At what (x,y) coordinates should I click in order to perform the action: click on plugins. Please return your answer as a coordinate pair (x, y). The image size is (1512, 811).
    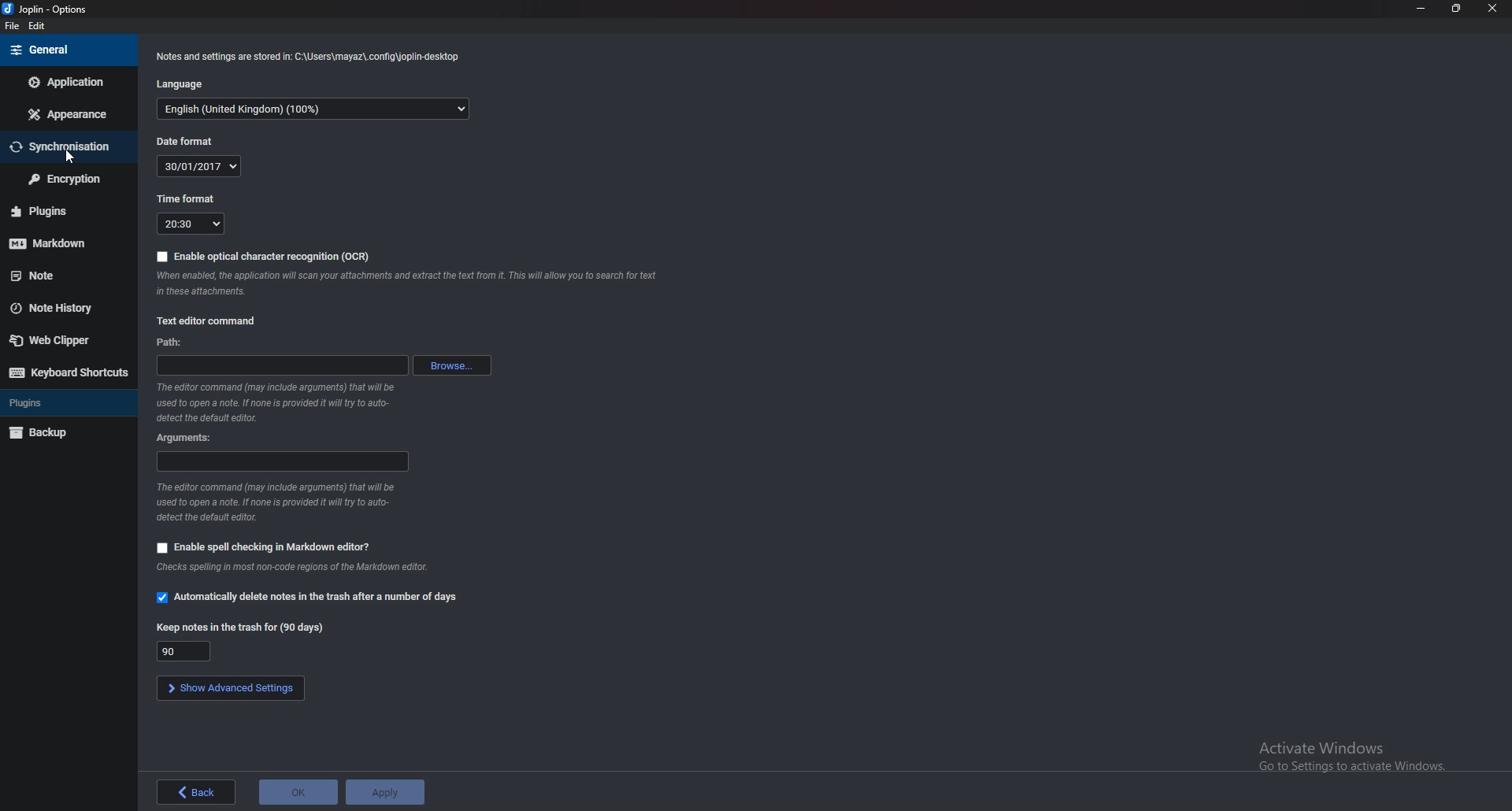
    Looking at the image, I should click on (40, 404).